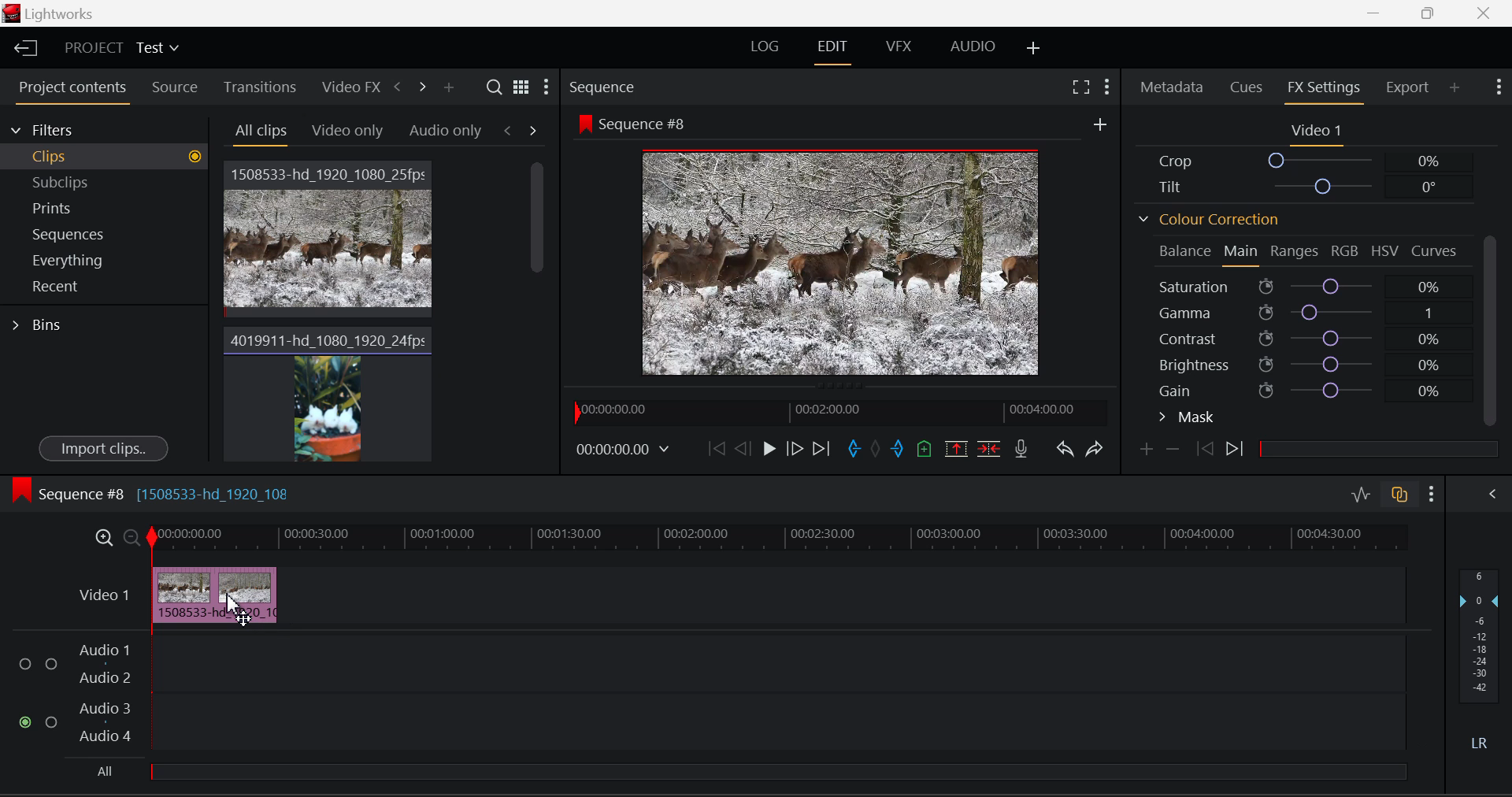  What do you see at coordinates (345, 128) in the screenshot?
I see `Video Only` at bounding box center [345, 128].